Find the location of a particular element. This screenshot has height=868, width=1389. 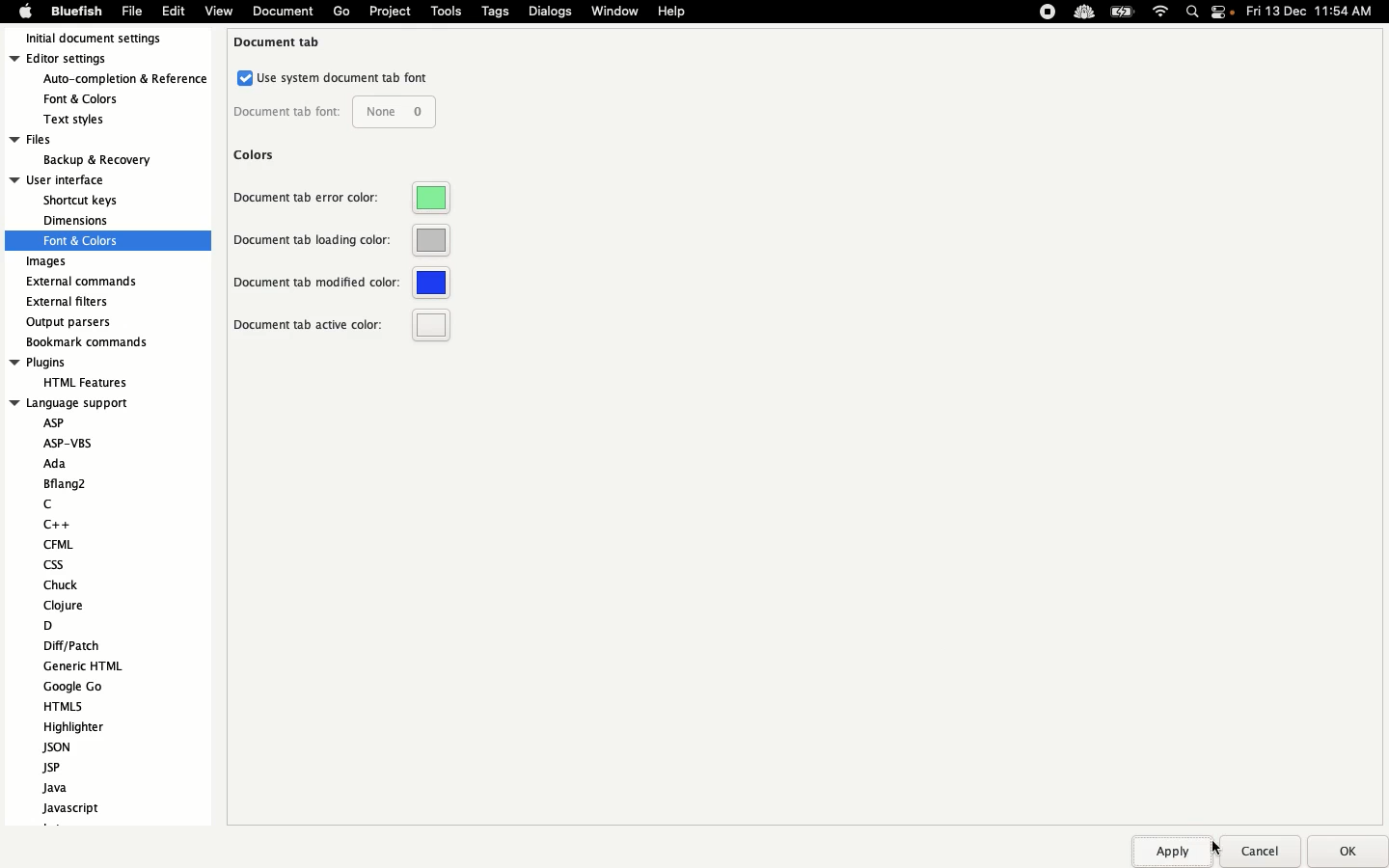

User interface  is located at coordinates (75, 179).